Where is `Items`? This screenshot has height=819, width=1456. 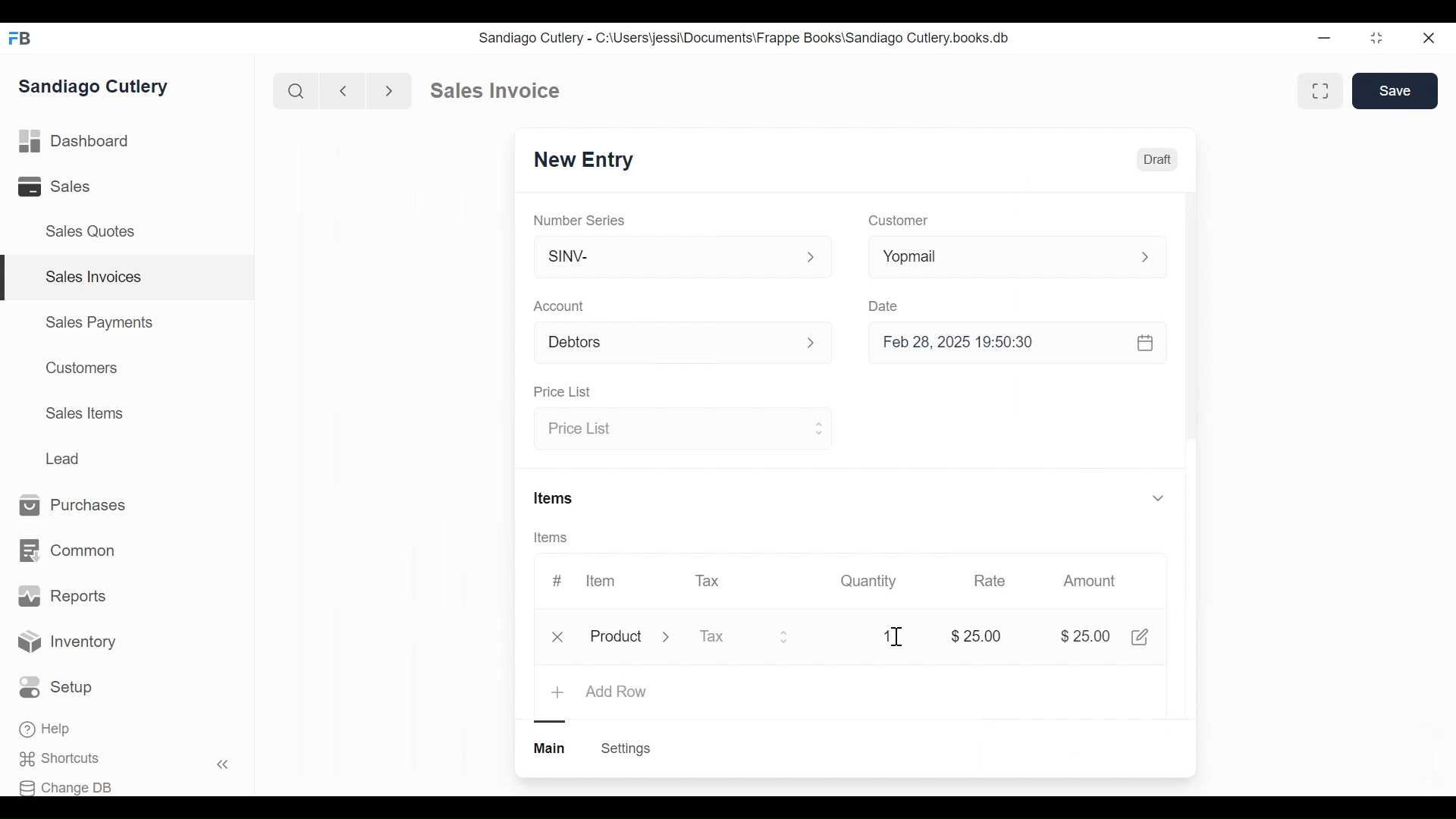
Items is located at coordinates (556, 497).